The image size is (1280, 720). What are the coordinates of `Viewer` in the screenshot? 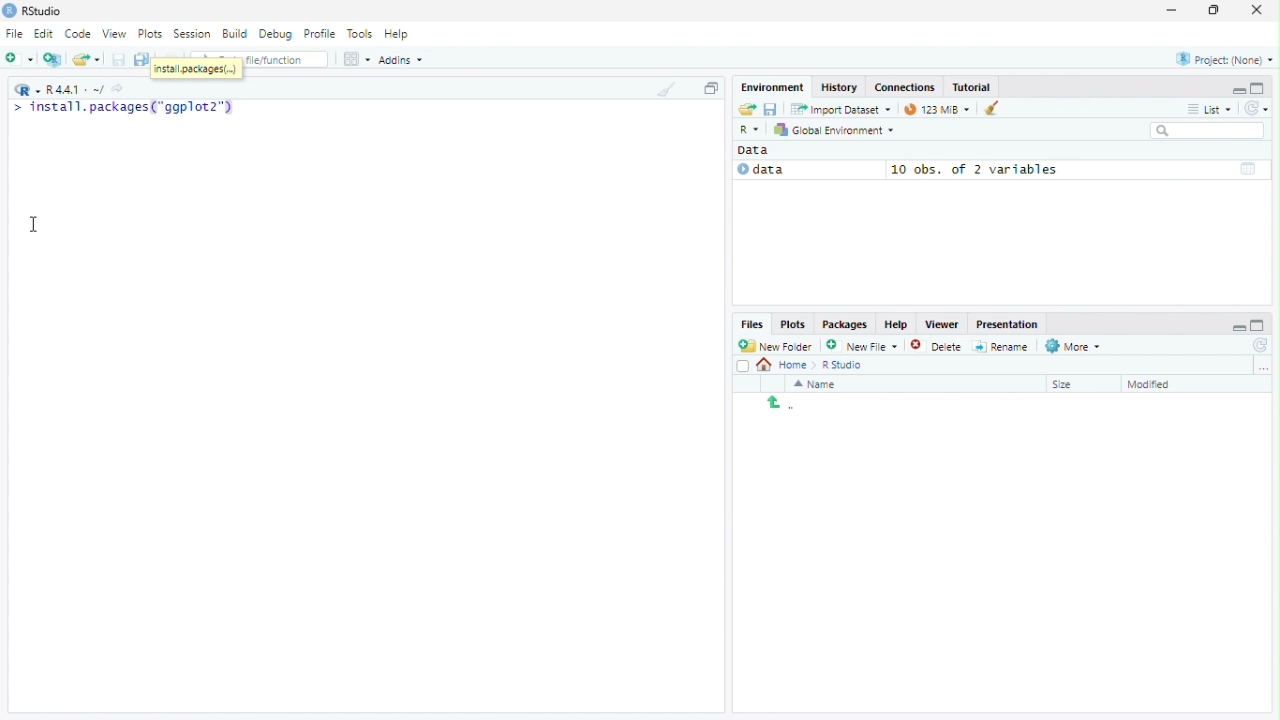 It's located at (941, 324).